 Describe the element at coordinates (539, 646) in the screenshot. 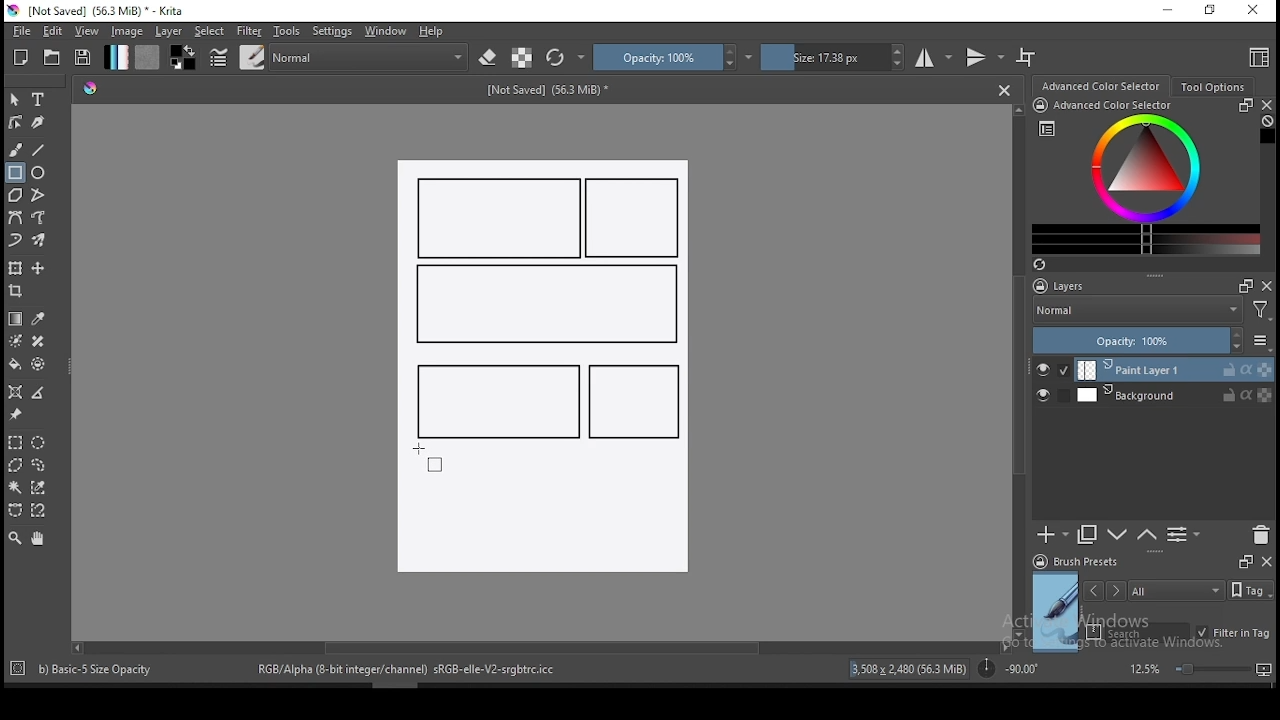

I see `scroll bar` at that location.